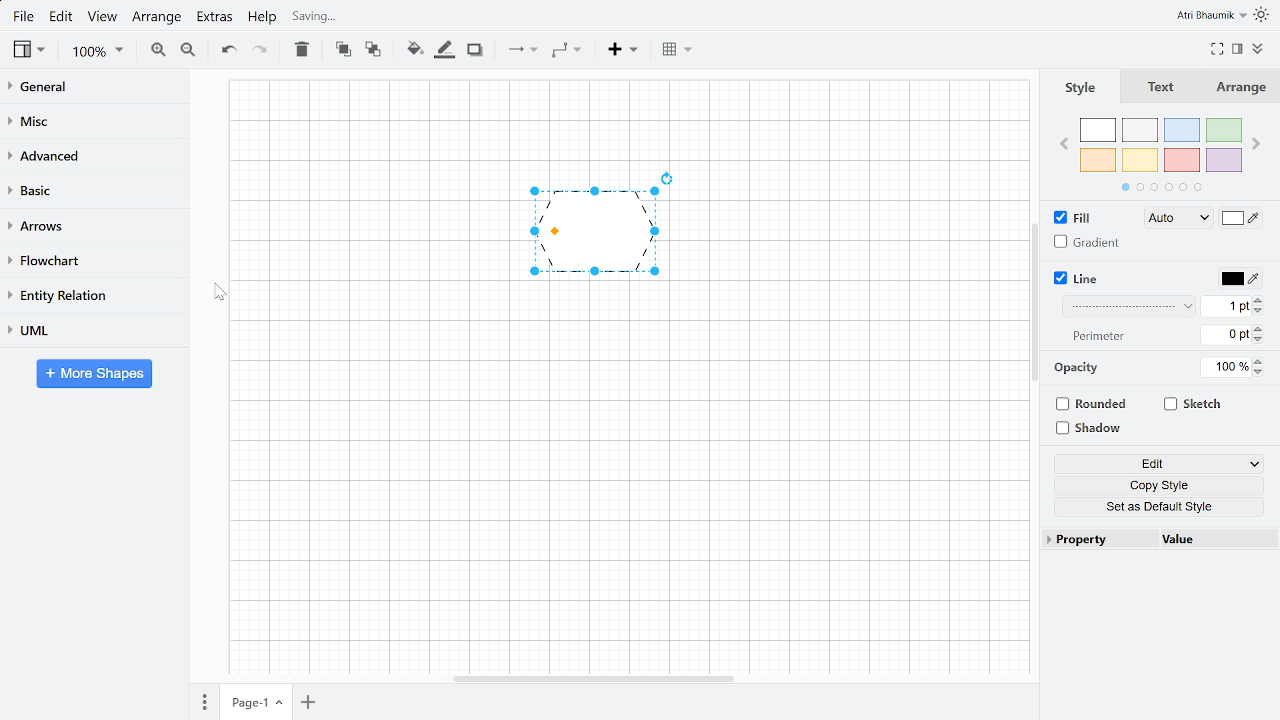  I want to click on Colors, so click(1161, 145).